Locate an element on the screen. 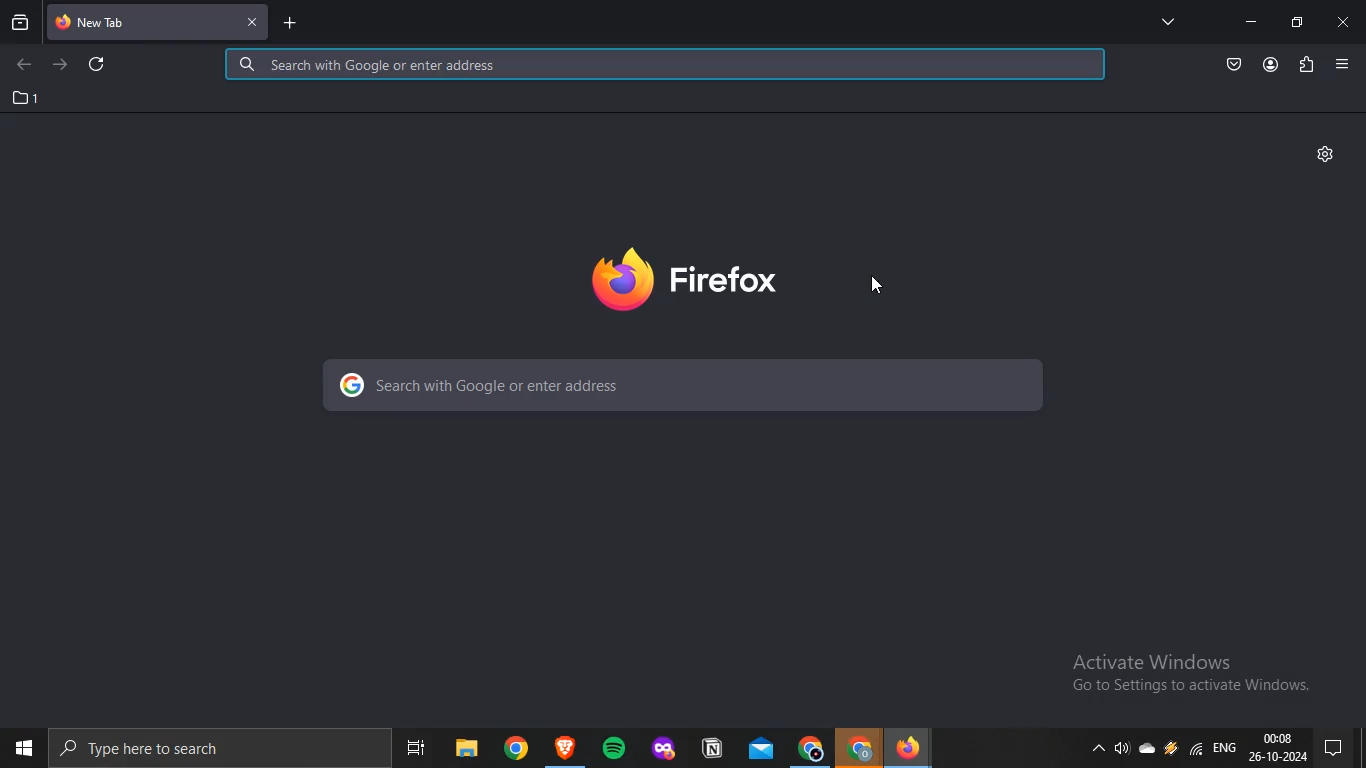 The height and width of the screenshot is (768, 1366). chrome is located at coordinates (808, 747).